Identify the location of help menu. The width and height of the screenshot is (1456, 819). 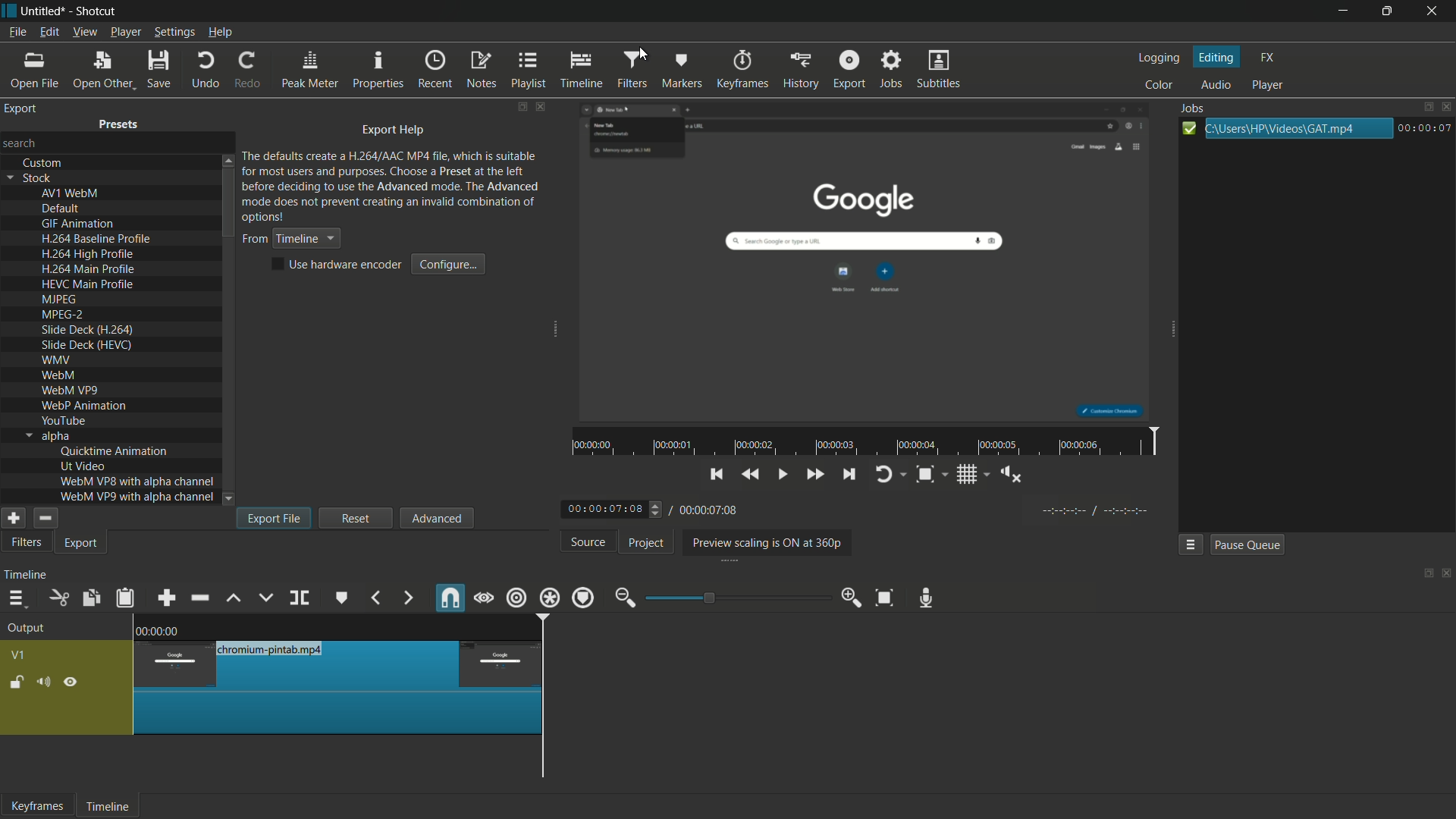
(221, 33).